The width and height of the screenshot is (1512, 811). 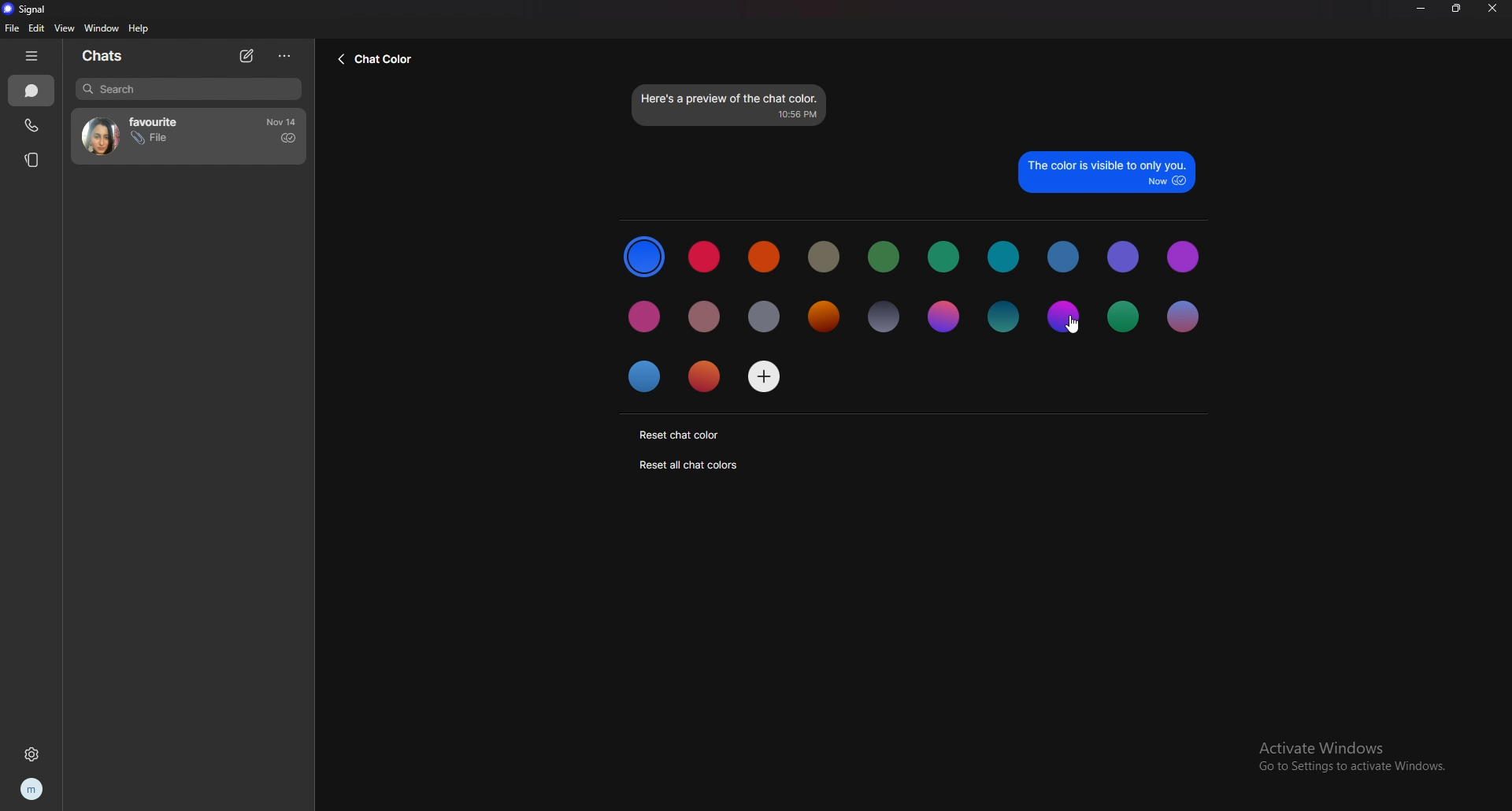 I want to click on color, so click(x=1005, y=257).